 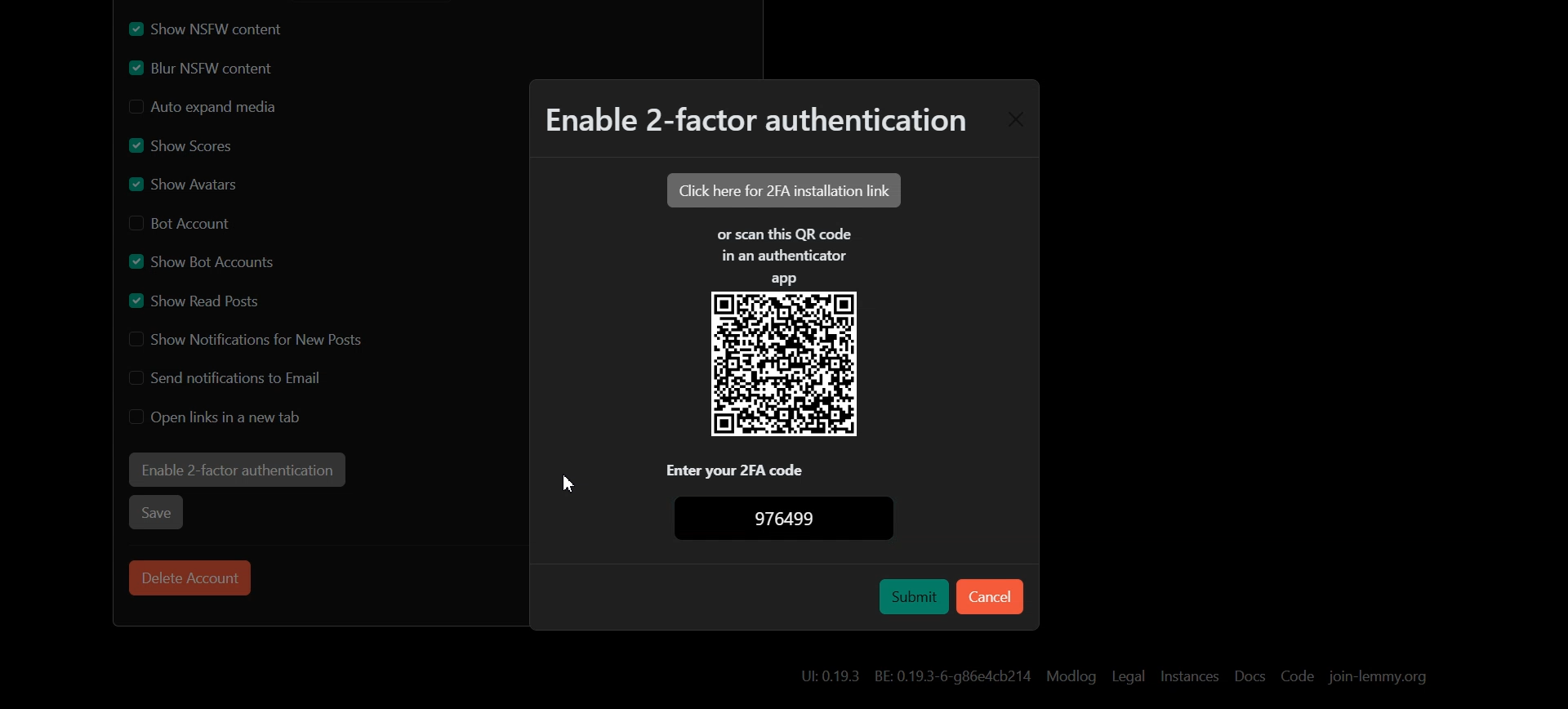 What do you see at coordinates (782, 190) in the screenshot?
I see `Click here for 2FA installation link` at bounding box center [782, 190].